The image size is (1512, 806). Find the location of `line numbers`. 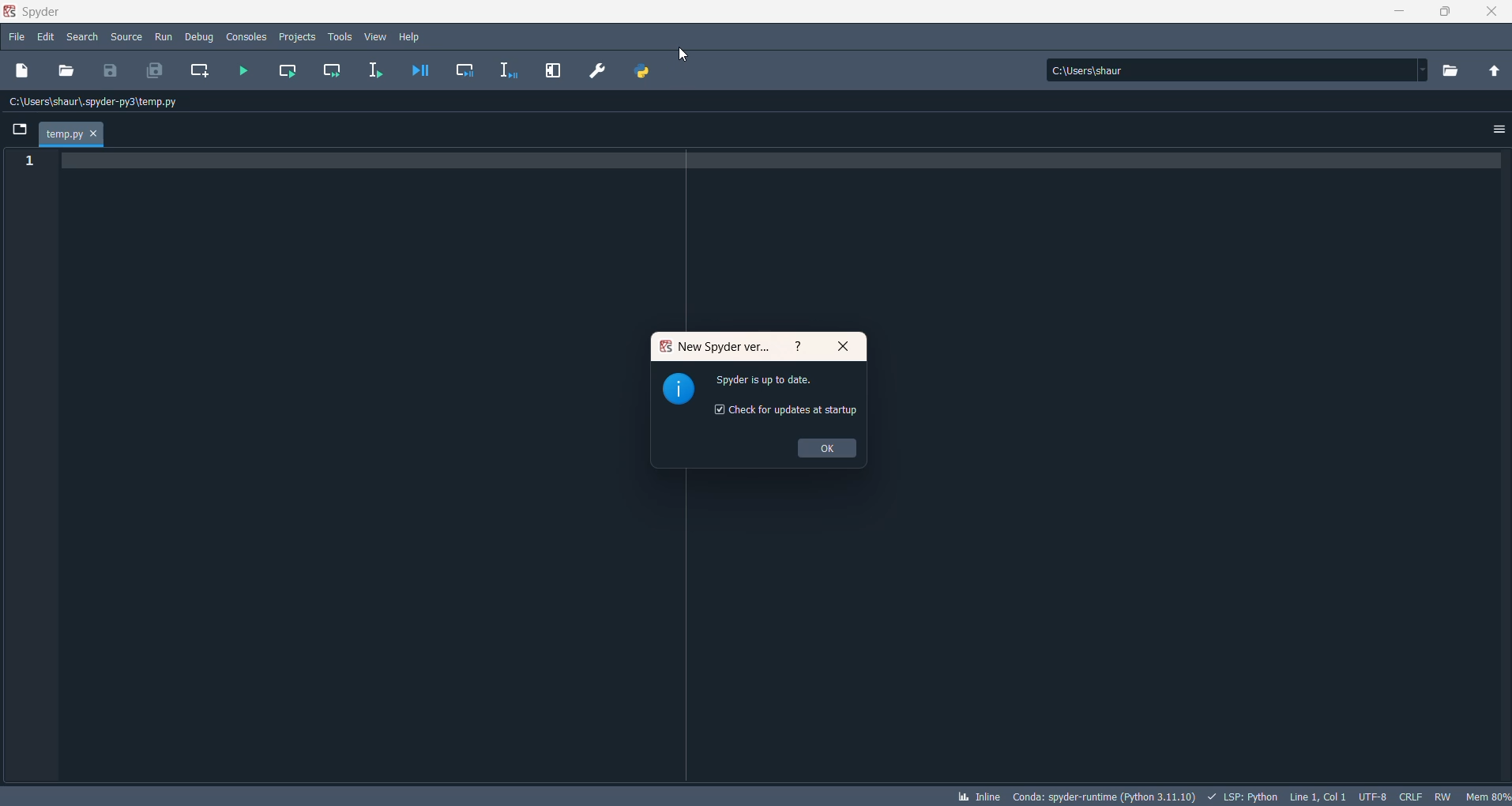

line numbers is located at coordinates (26, 162).